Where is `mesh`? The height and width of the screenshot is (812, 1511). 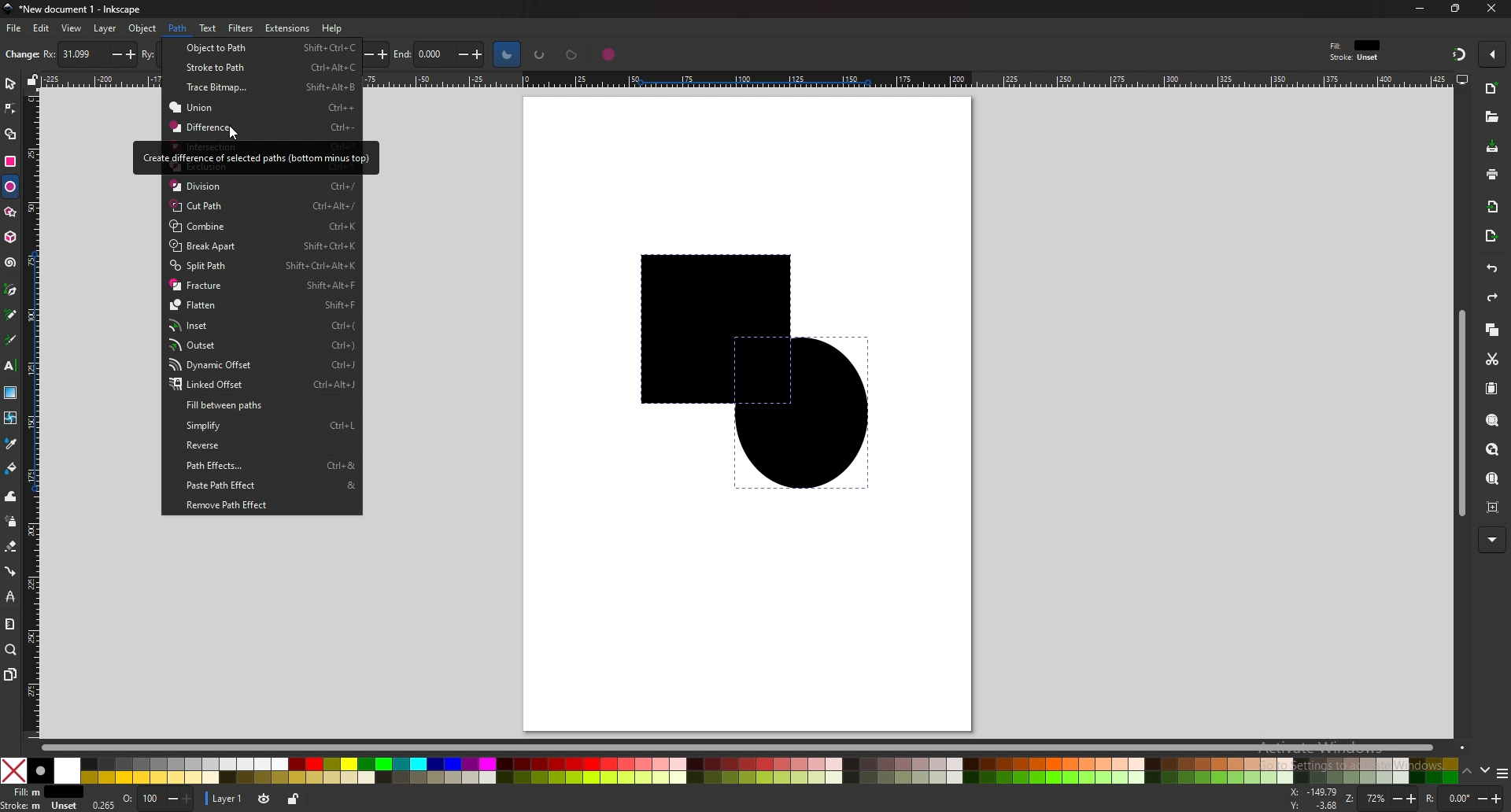 mesh is located at coordinates (11, 417).